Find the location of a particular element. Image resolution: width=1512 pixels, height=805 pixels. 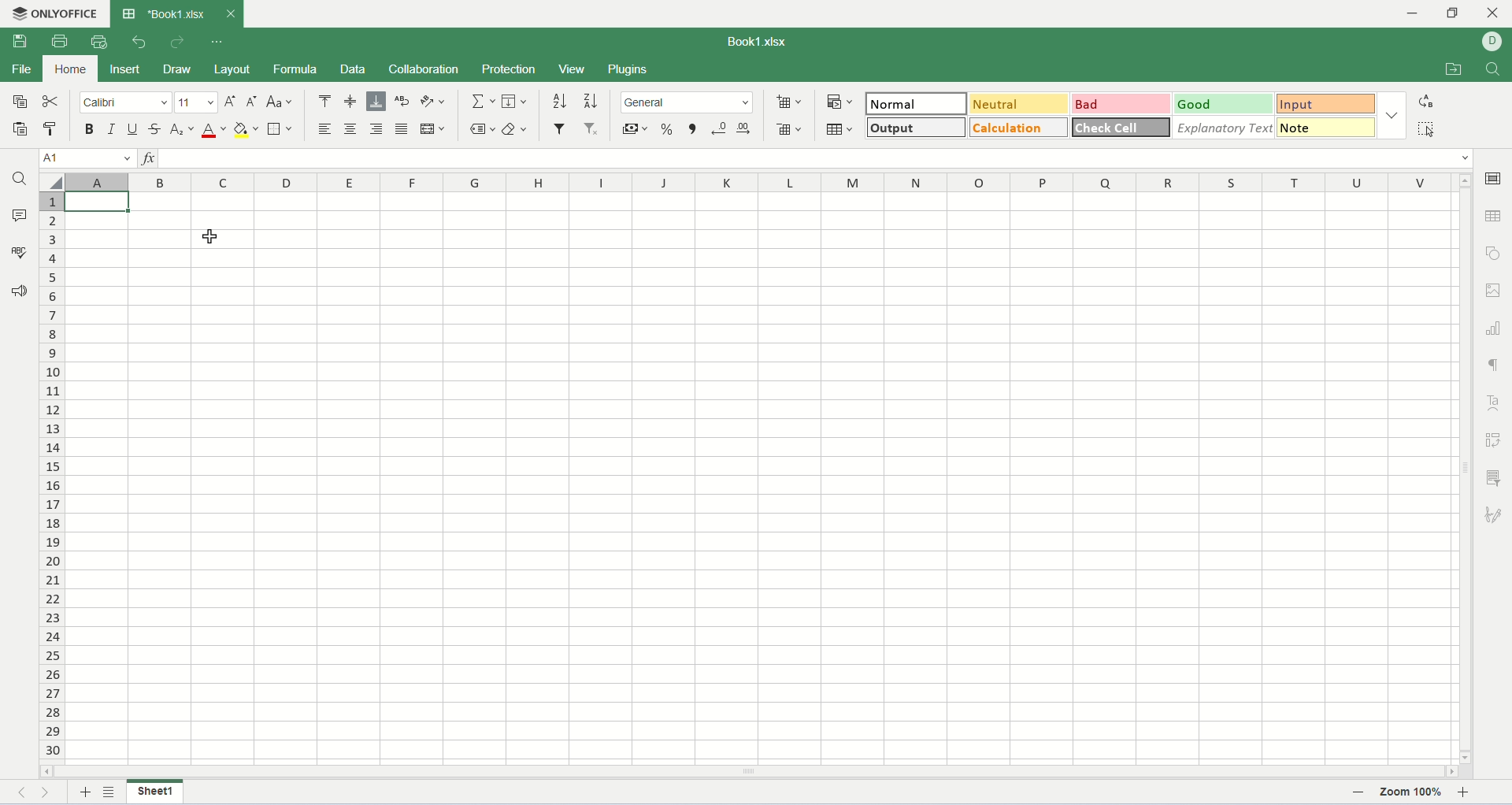

plugins is located at coordinates (647, 68).